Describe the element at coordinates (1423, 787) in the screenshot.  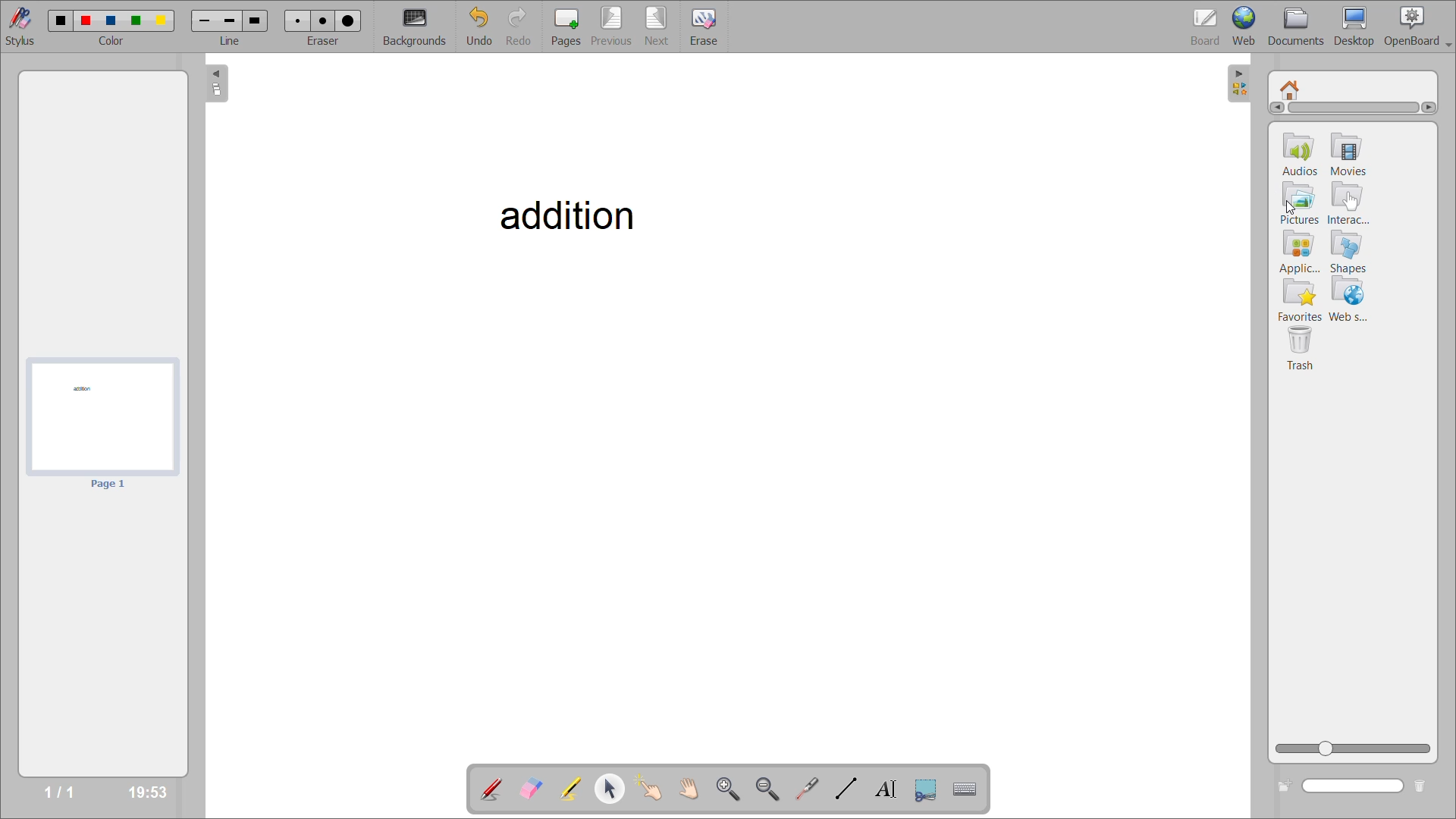
I see `delete` at that location.